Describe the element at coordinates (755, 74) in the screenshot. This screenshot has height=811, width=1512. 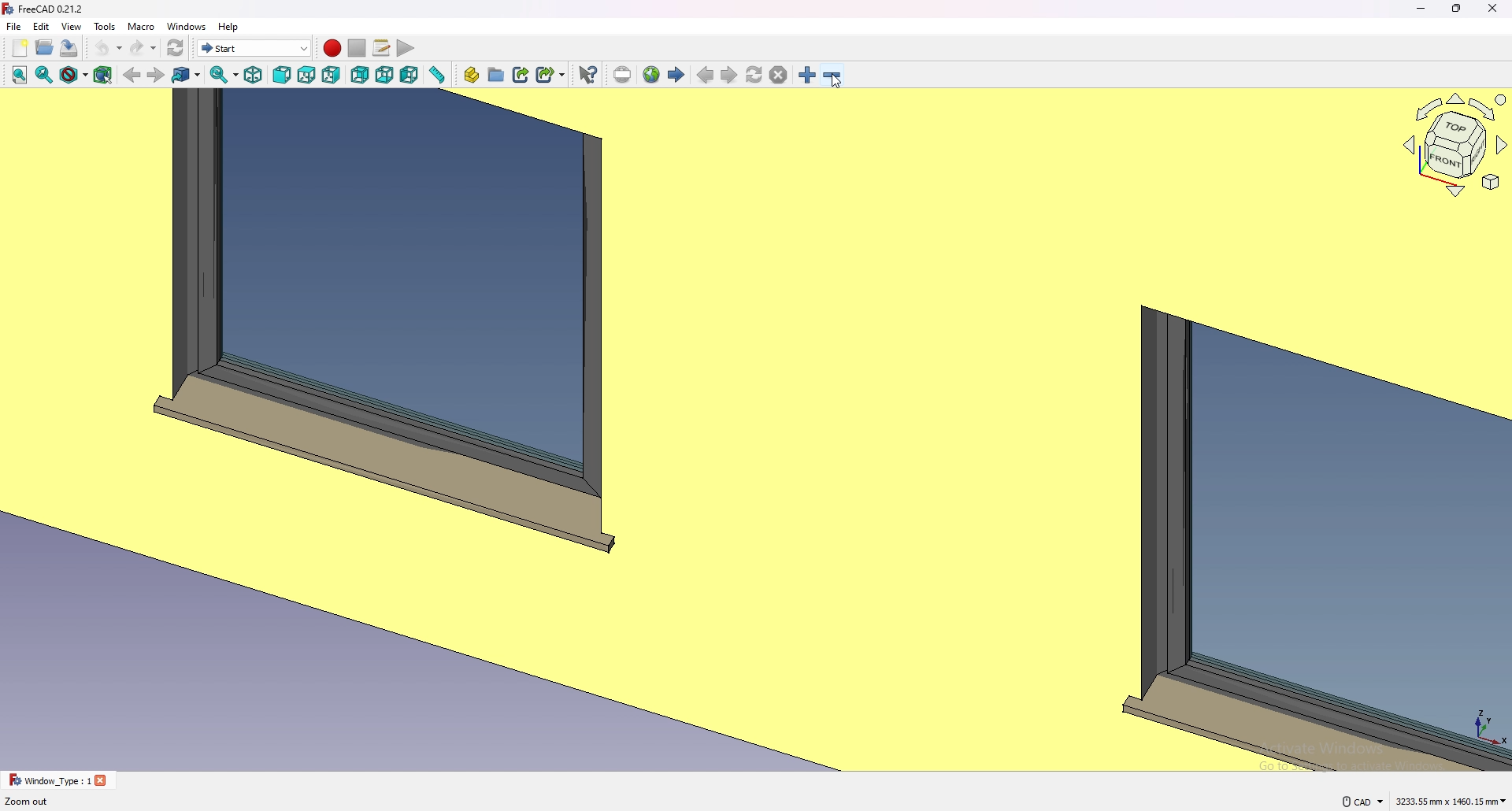
I see `refresh web page` at that location.